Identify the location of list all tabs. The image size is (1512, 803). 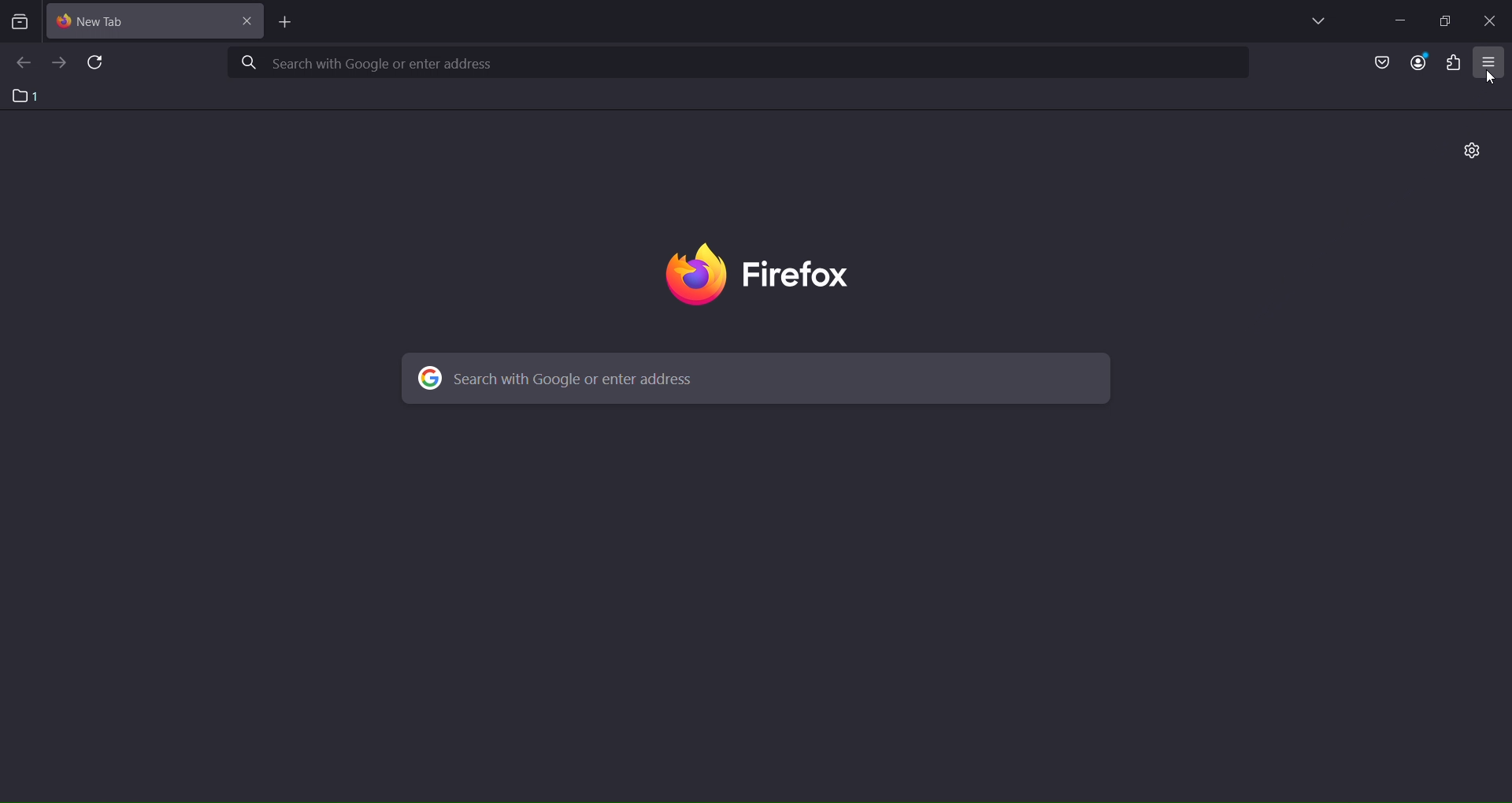
(1313, 22).